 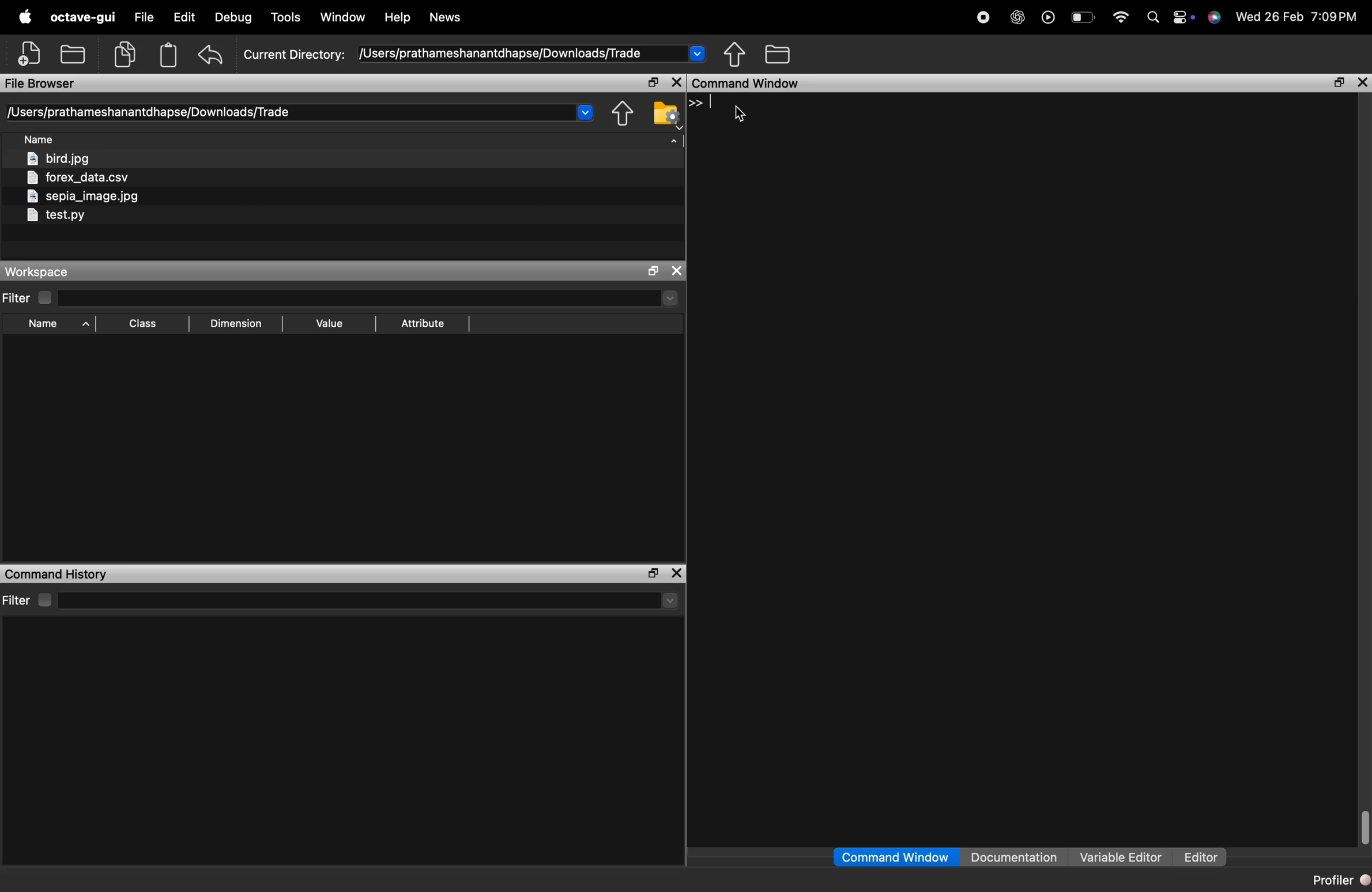 I want to click on Debug, so click(x=233, y=17).